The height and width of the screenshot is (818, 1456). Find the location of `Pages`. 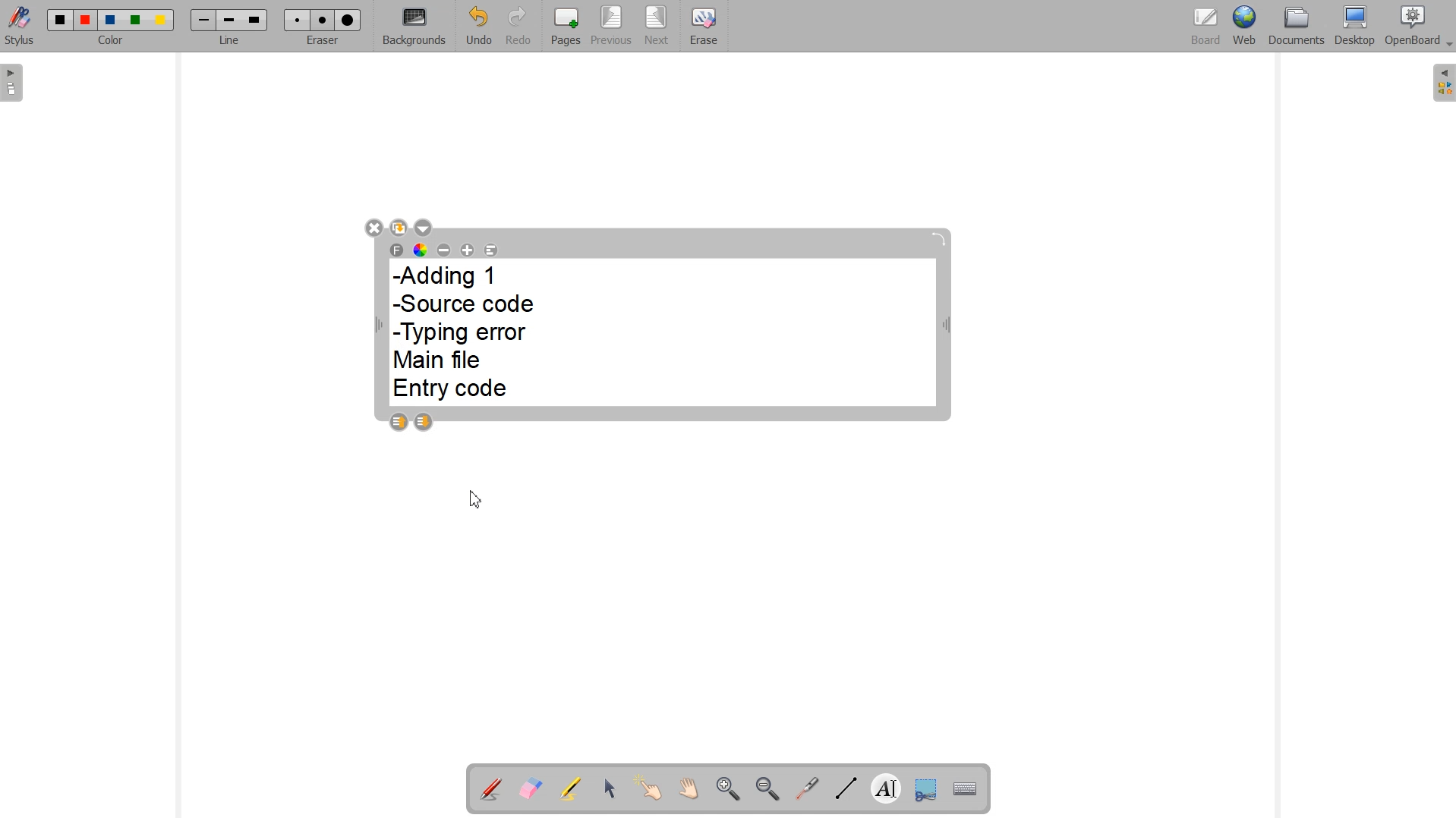

Pages is located at coordinates (566, 26).